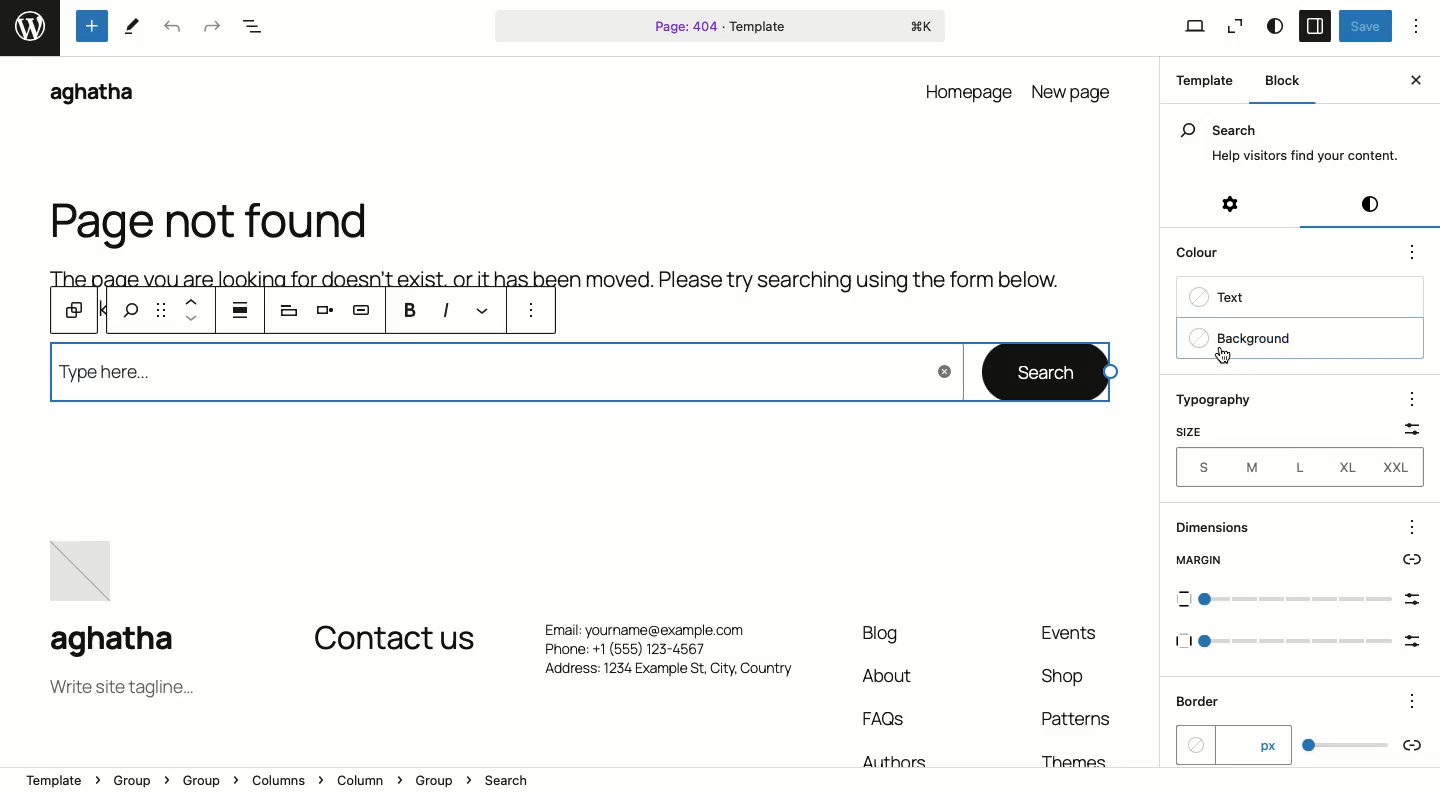 The image size is (1440, 792). I want to click on About, so click(884, 674).